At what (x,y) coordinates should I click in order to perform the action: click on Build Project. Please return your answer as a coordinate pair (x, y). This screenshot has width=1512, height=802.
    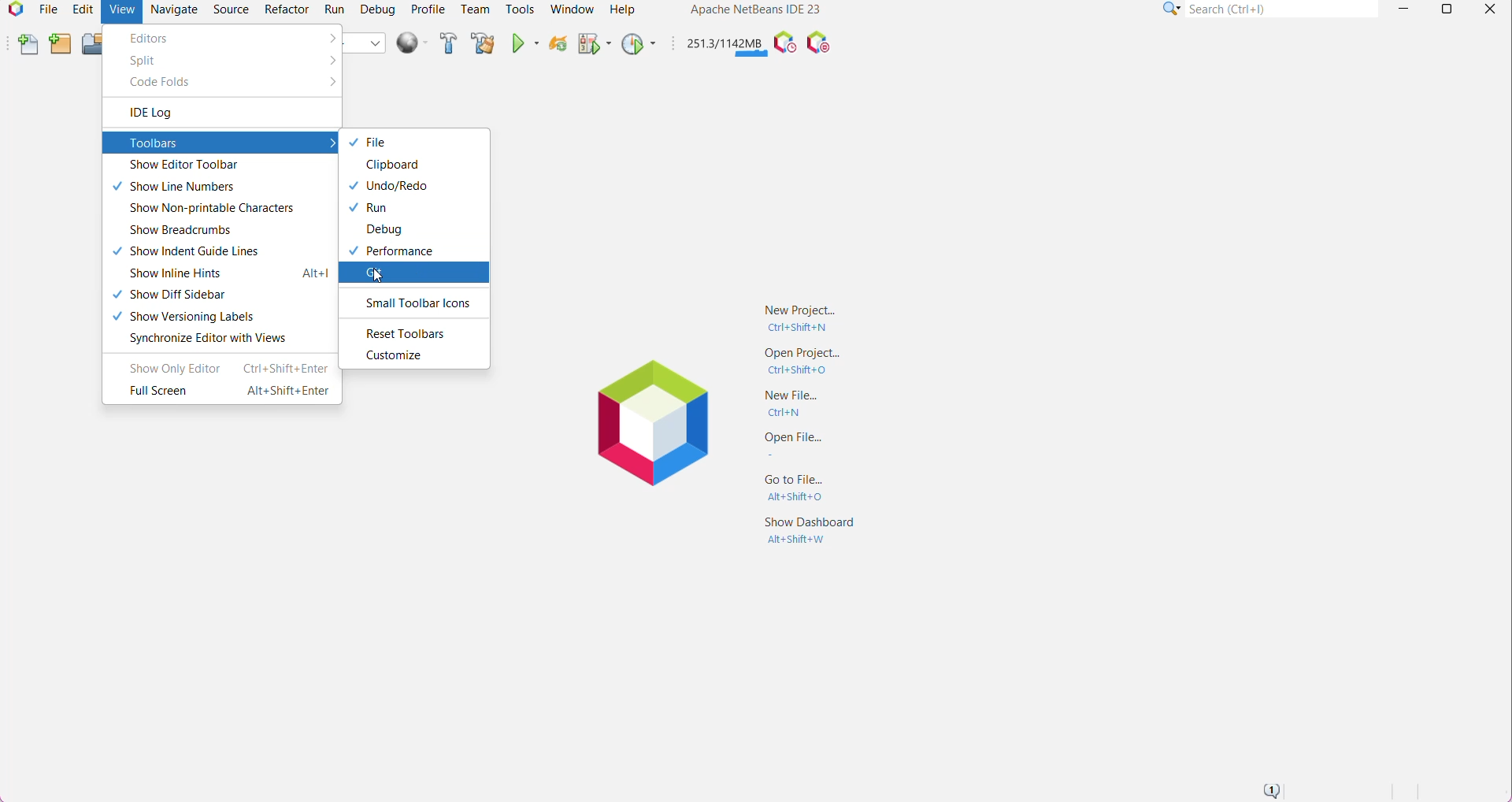
    Looking at the image, I should click on (447, 43).